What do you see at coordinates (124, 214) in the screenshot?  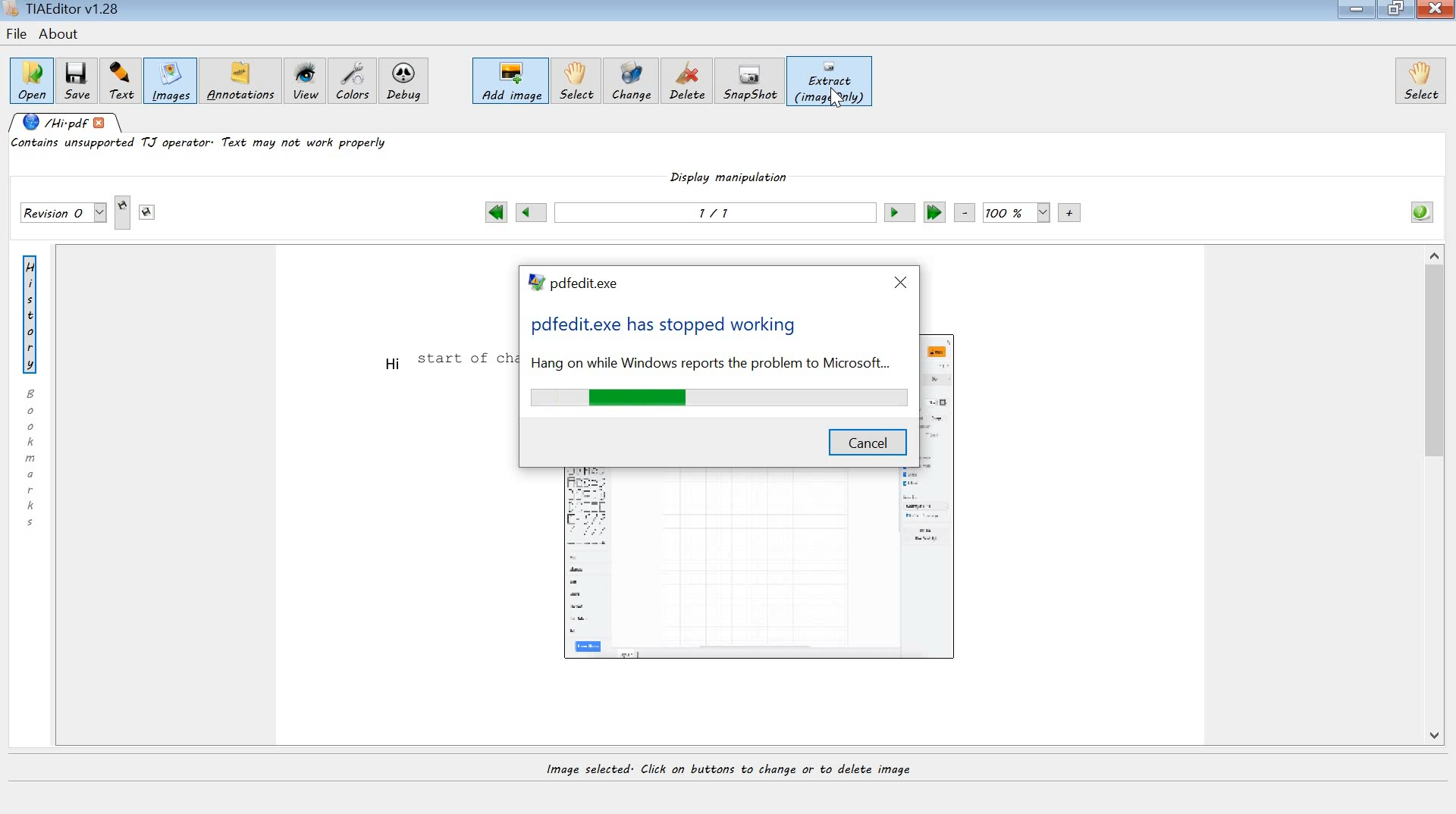 I see `creates new revision` at bounding box center [124, 214].